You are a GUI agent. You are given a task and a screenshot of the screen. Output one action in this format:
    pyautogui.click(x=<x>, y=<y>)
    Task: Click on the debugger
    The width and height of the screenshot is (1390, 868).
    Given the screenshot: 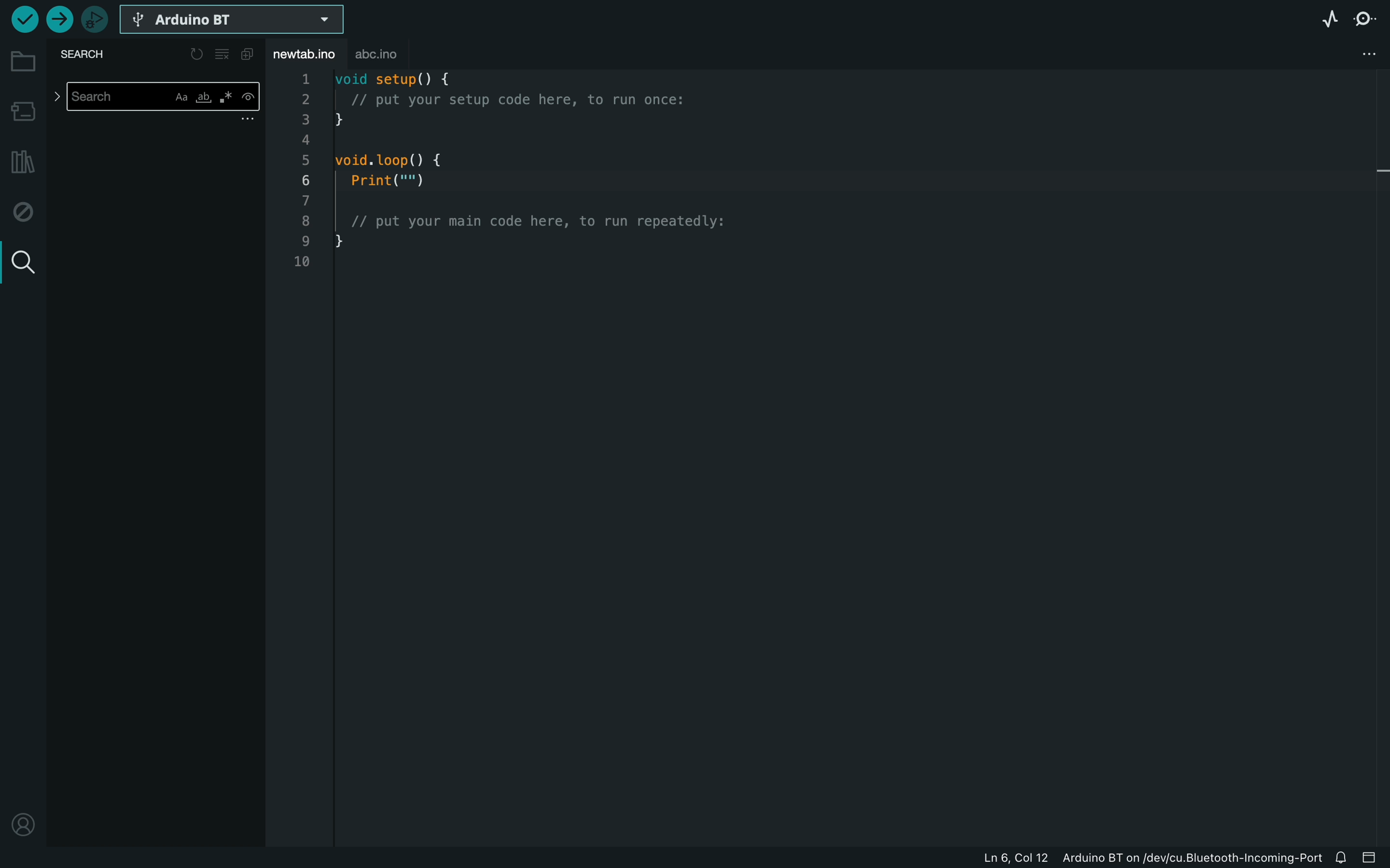 What is the action you would take?
    pyautogui.click(x=96, y=21)
    